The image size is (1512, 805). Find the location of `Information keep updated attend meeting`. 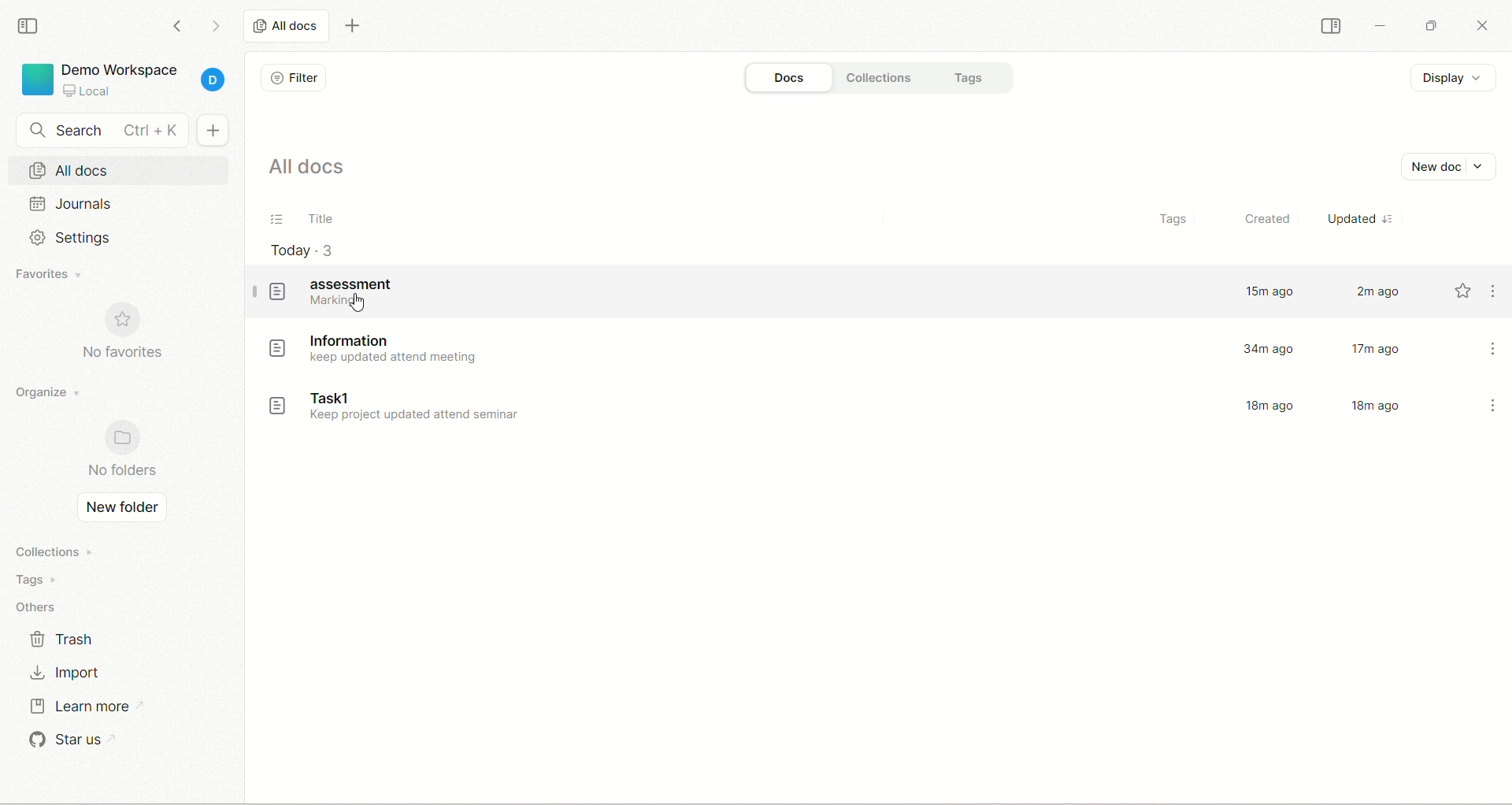

Information keep updated attend meeting is located at coordinates (372, 346).